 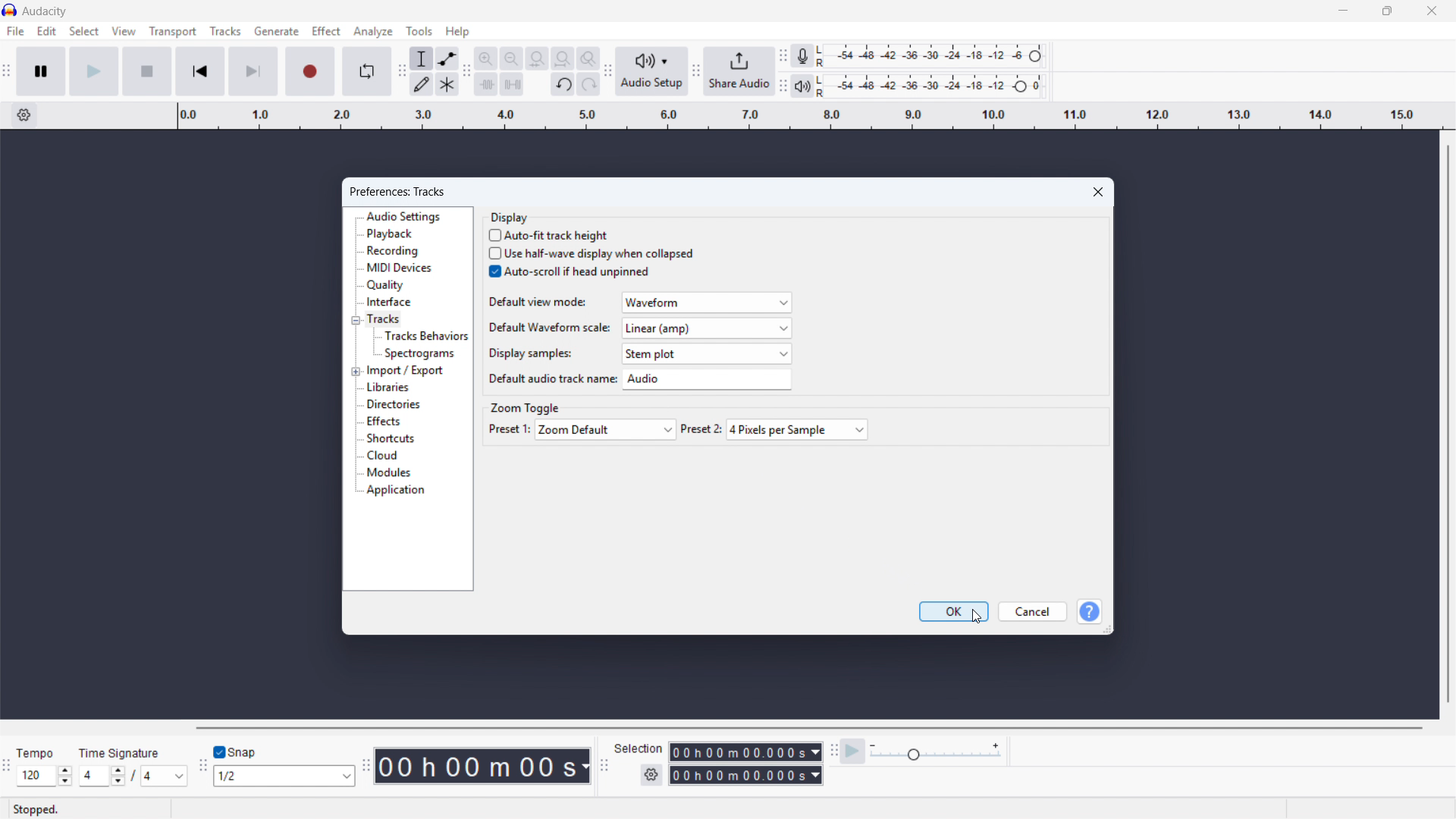 I want to click on time signature toolbar, so click(x=7, y=768).